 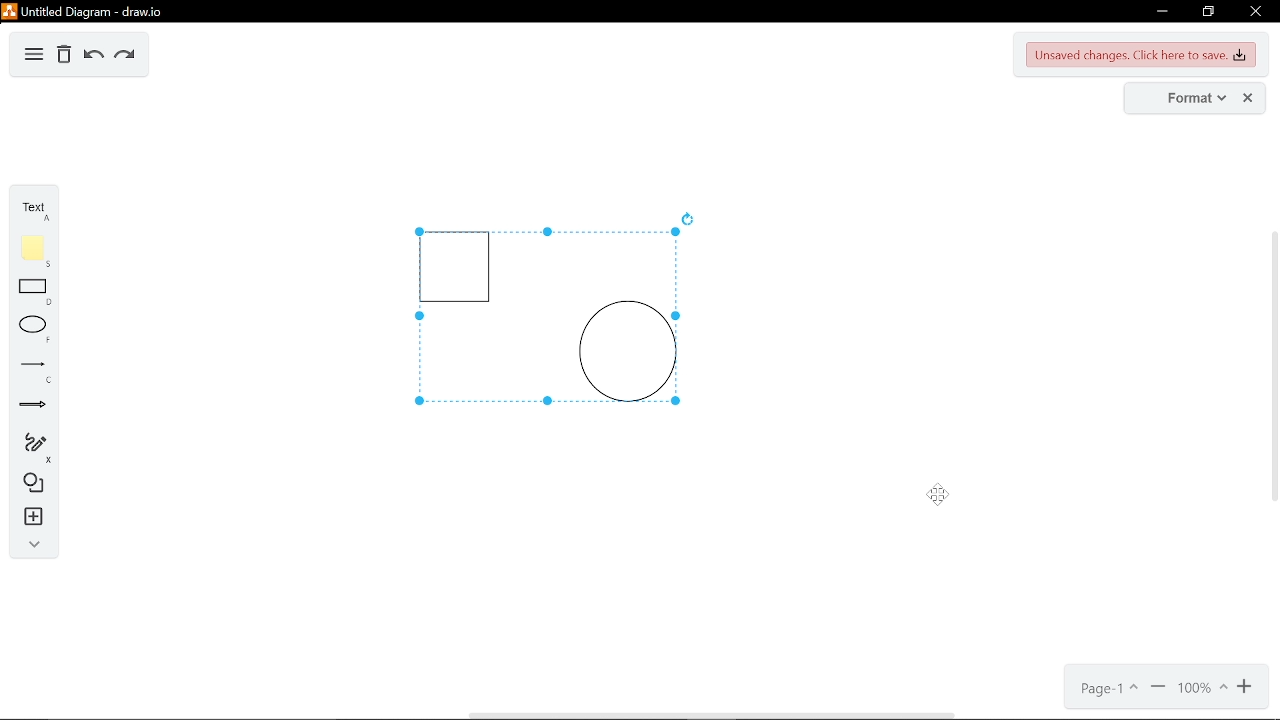 What do you see at coordinates (32, 370) in the screenshot?
I see `line` at bounding box center [32, 370].